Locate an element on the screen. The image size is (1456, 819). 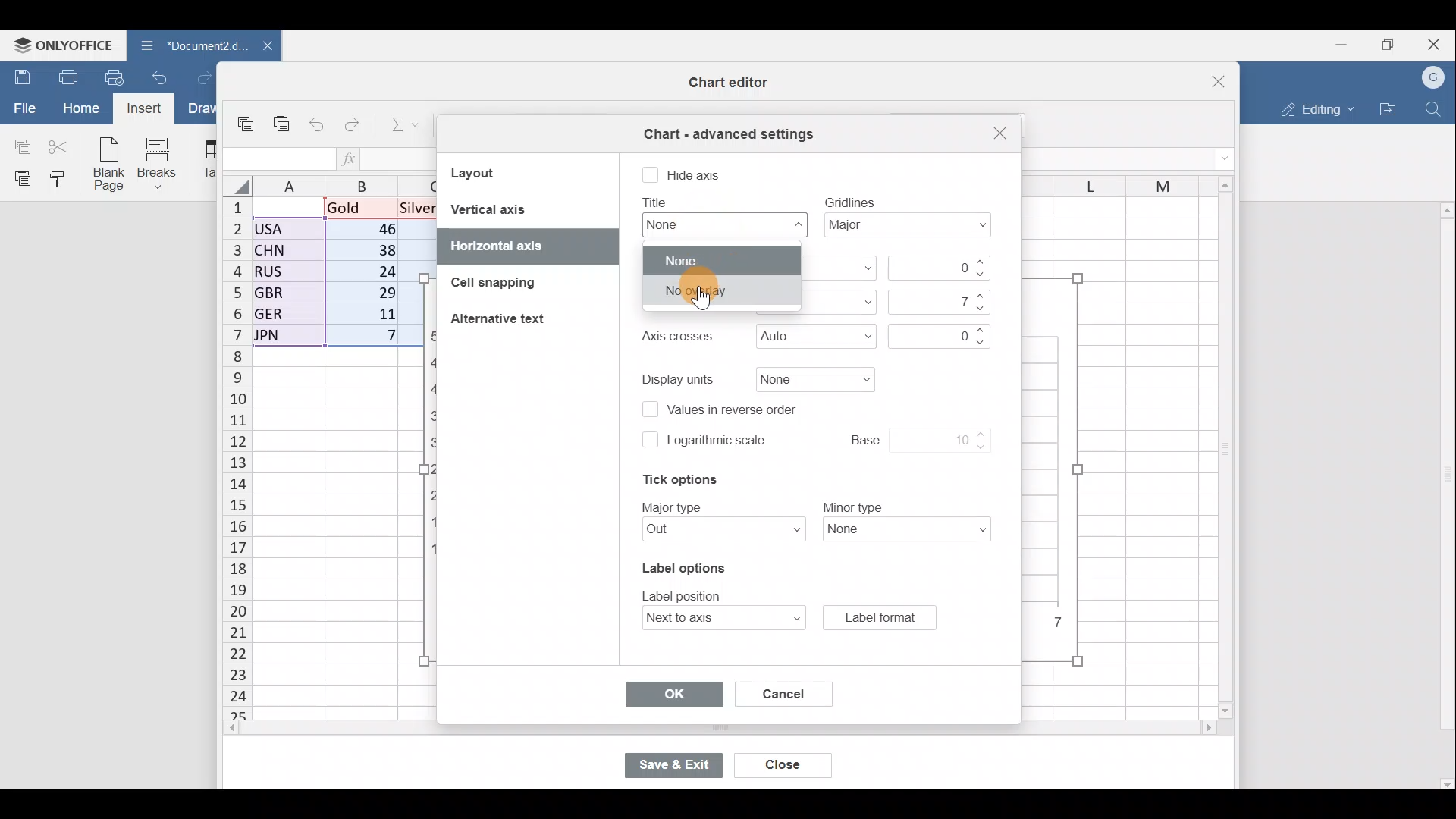
Paste is located at coordinates (19, 178).